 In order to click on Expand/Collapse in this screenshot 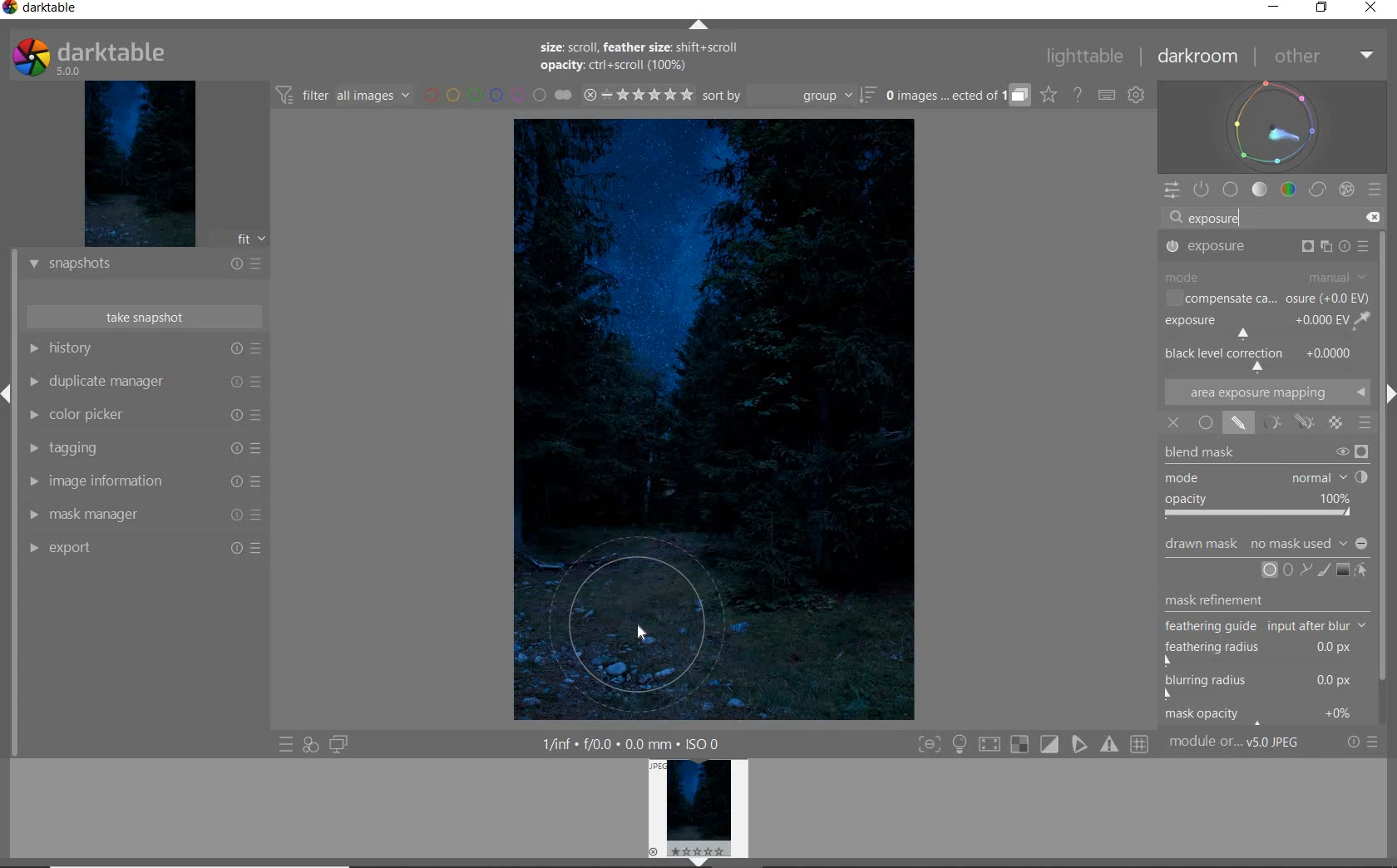, I will do `click(8, 392)`.